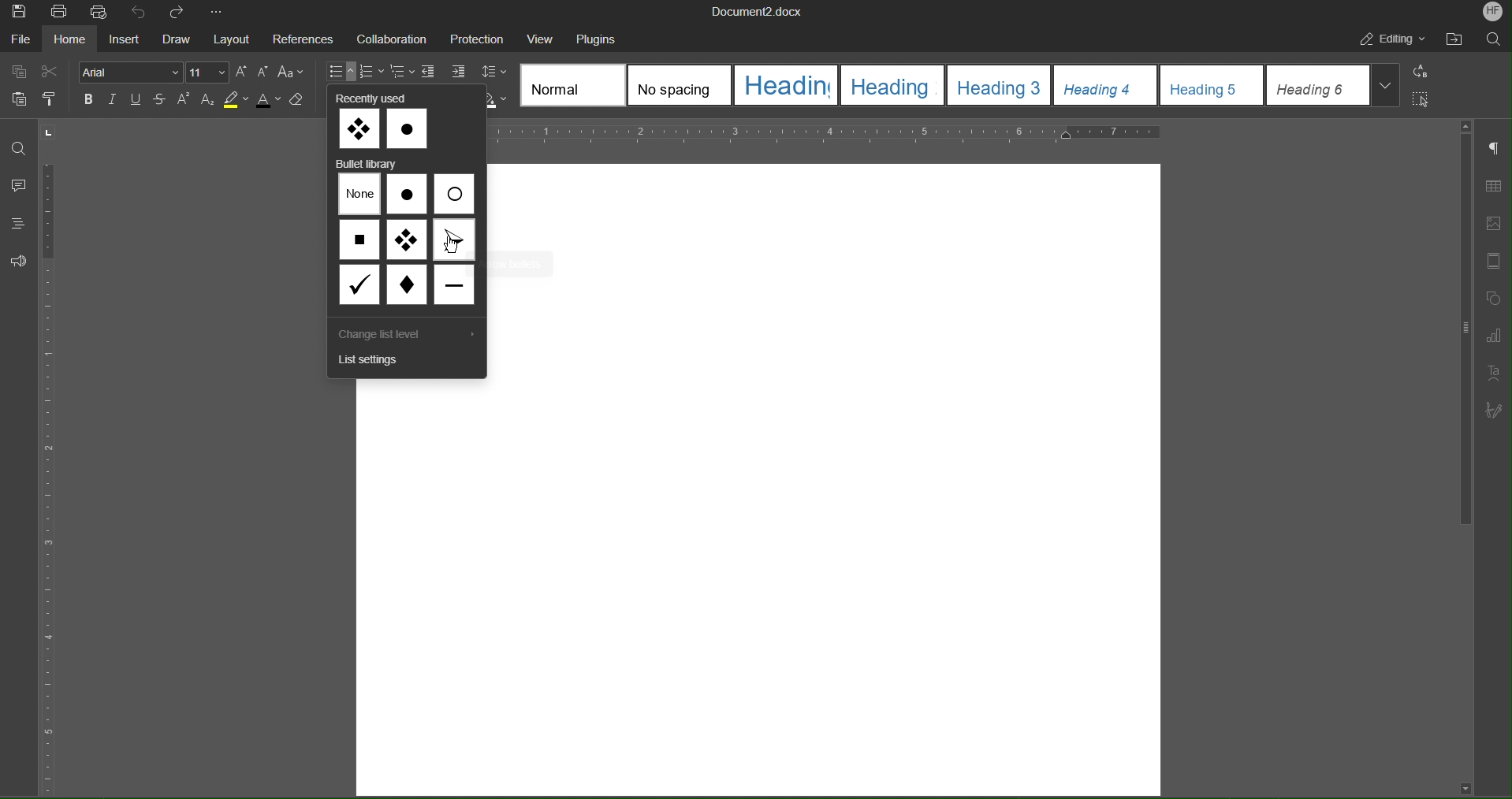 The image size is (1512, 799). I want to click on Line Spacing, so click(495, 68).